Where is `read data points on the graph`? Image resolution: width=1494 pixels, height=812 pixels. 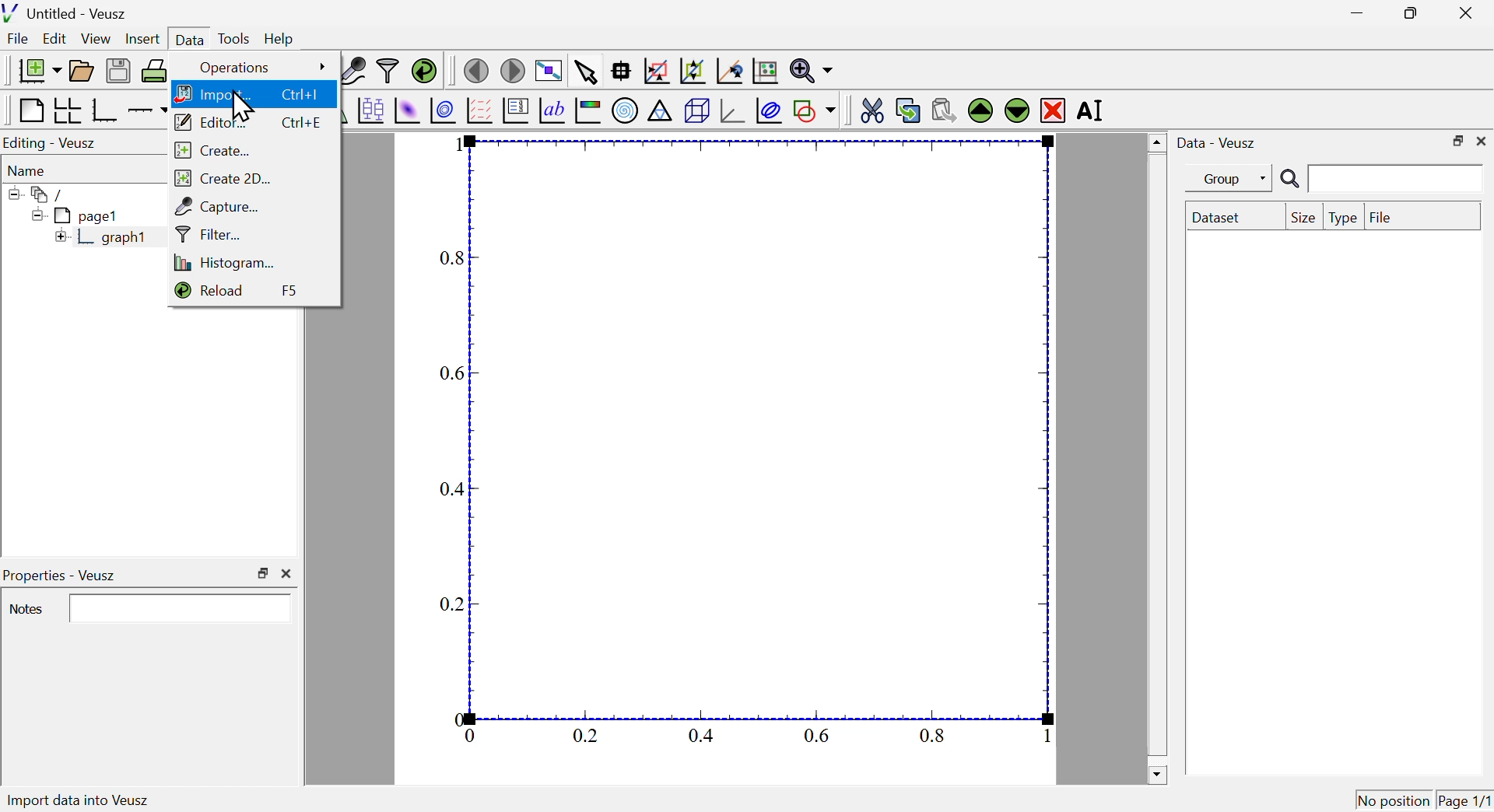 read data points on the graph is located at coordinates (622, 72).